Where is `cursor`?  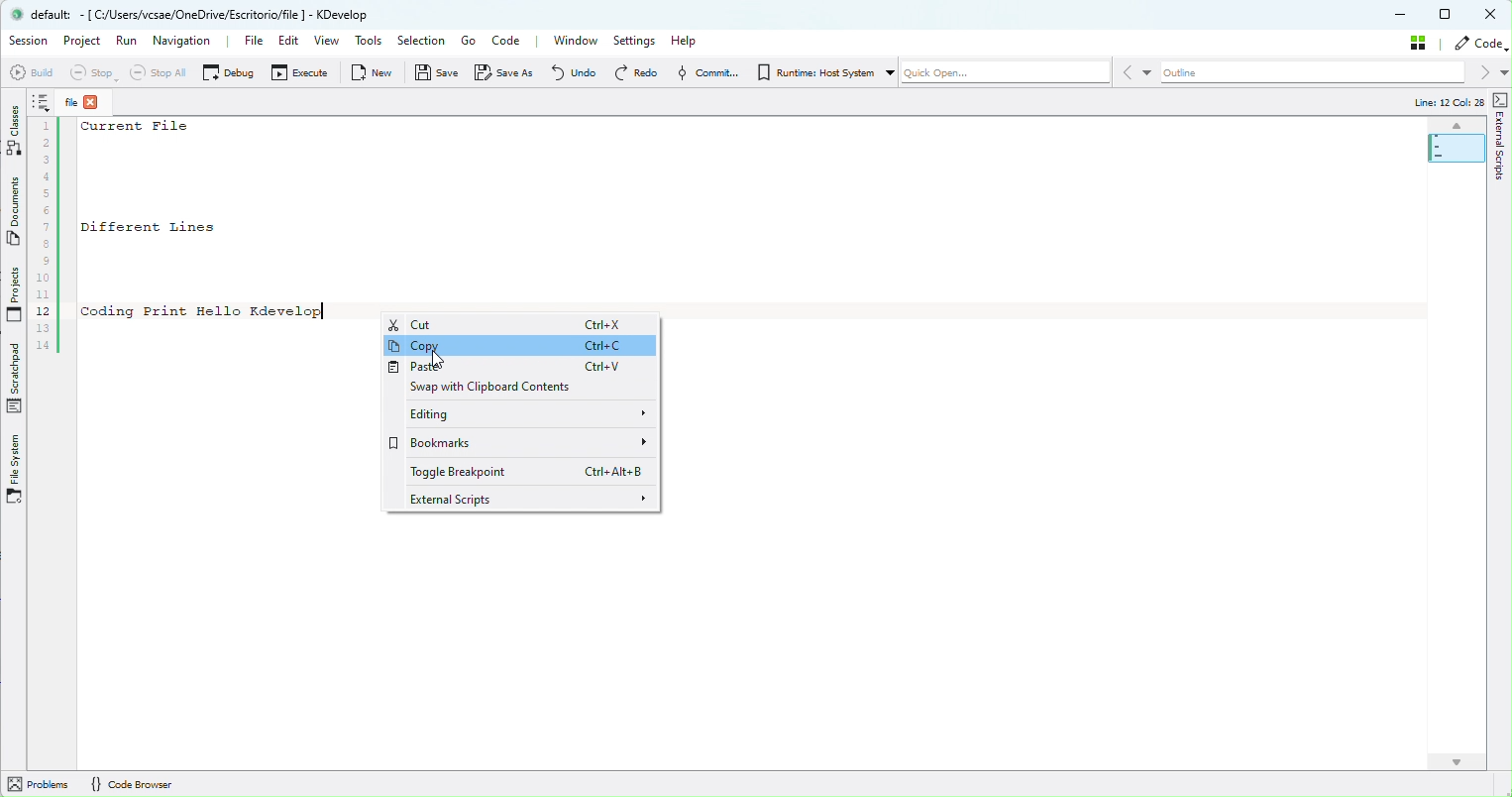 cursor is located at coordinates (433, 357).